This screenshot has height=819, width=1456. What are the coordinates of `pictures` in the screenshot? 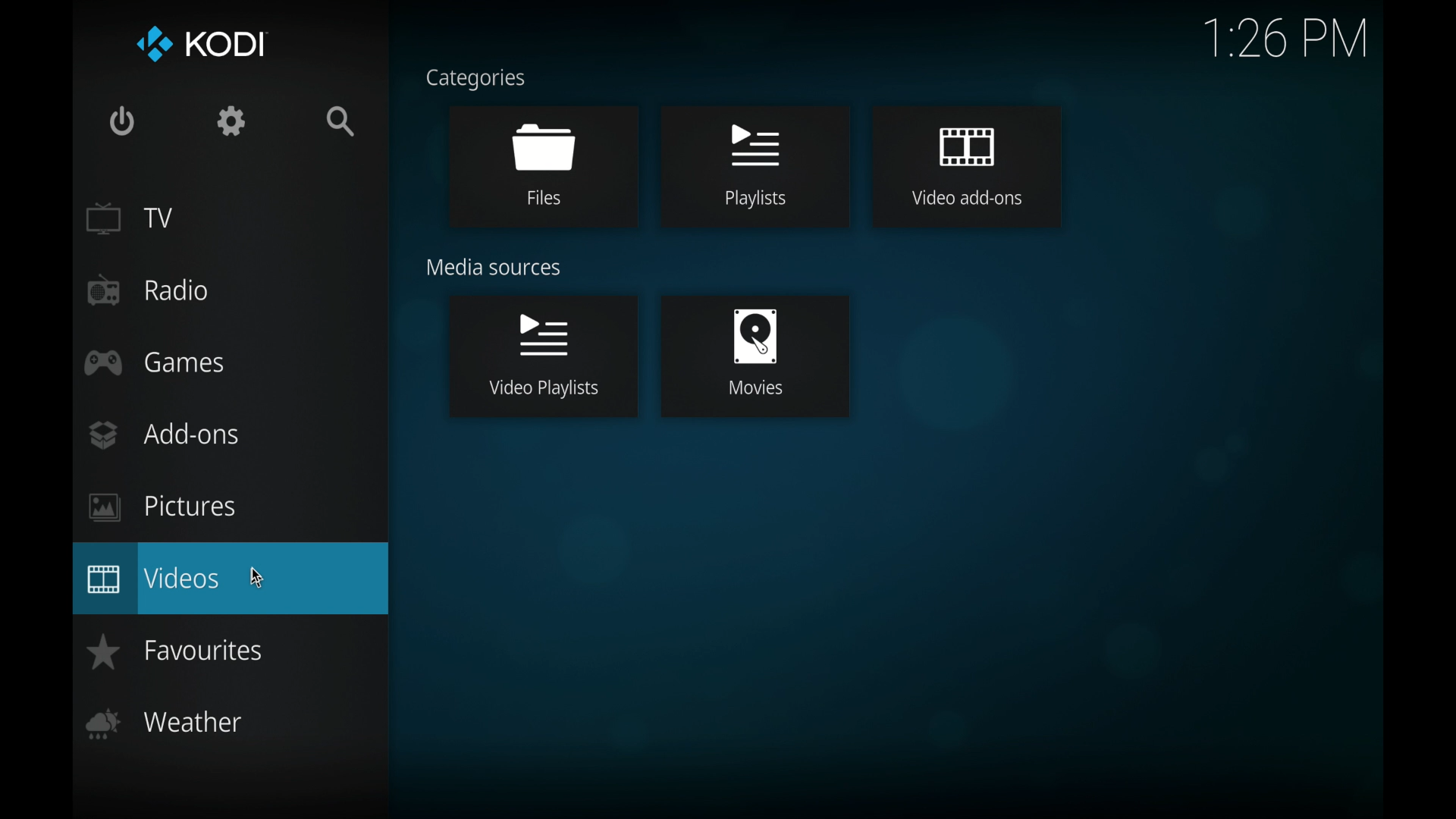 It's located at (163, 507).